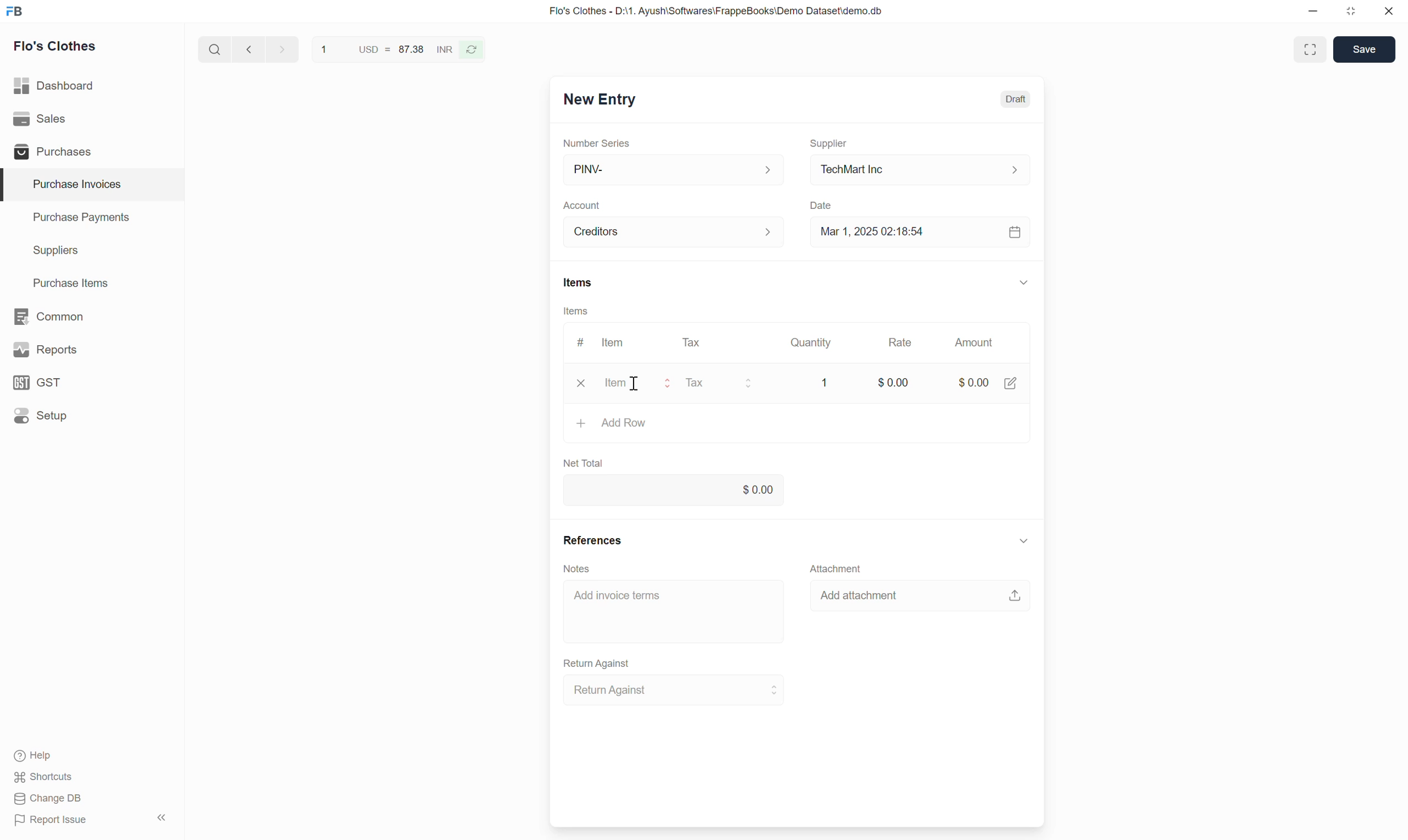 The image size is (1408, 840). What do you see at coordinates (602, 342) in the screenshot?
I see `# Item` at bounding box center [602, 342].